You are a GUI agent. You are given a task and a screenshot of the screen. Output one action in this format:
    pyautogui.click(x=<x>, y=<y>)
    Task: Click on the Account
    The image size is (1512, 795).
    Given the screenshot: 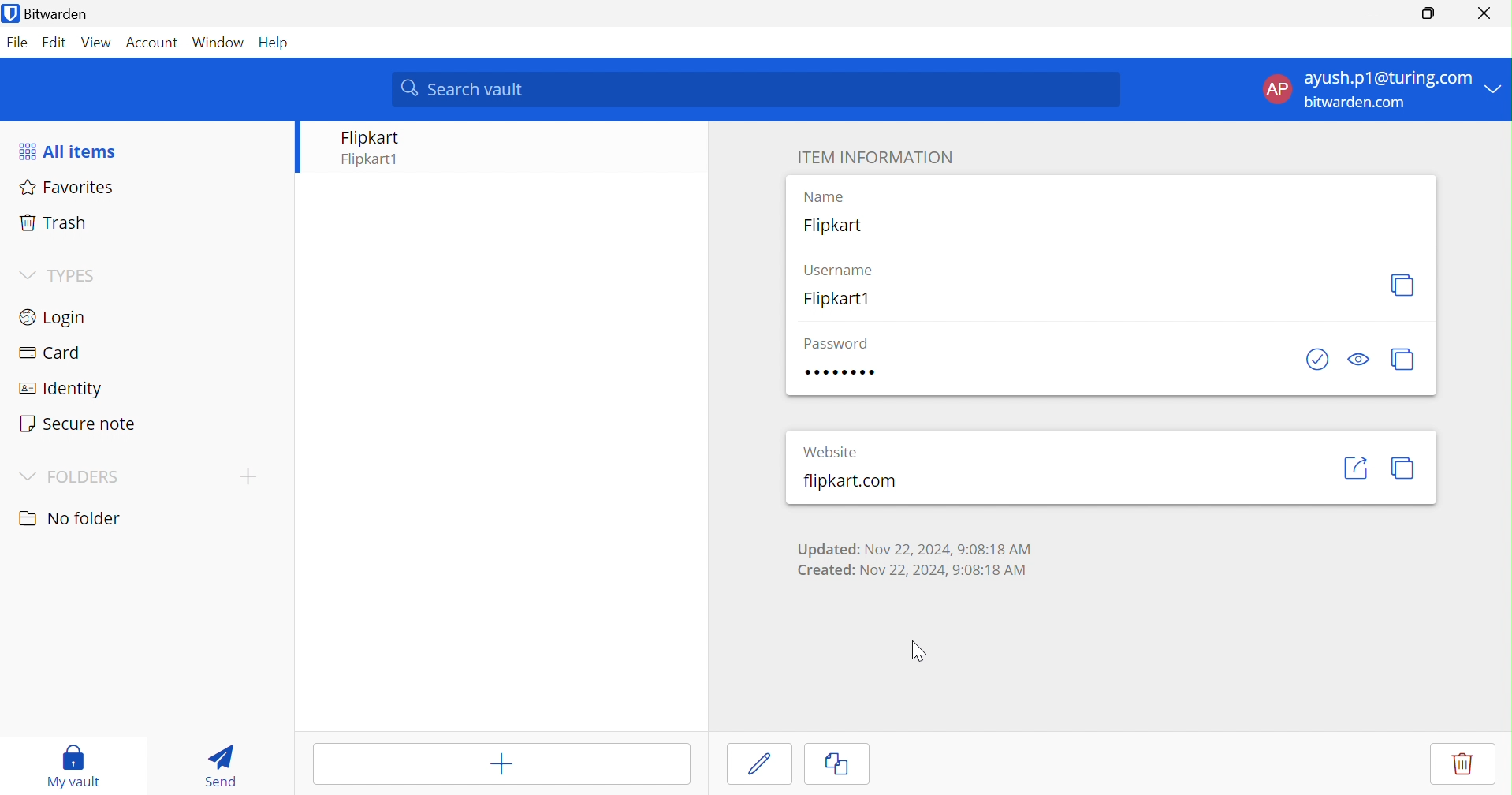 What is the action you would take?
    pyautogui.click(x=153, y=43)
    